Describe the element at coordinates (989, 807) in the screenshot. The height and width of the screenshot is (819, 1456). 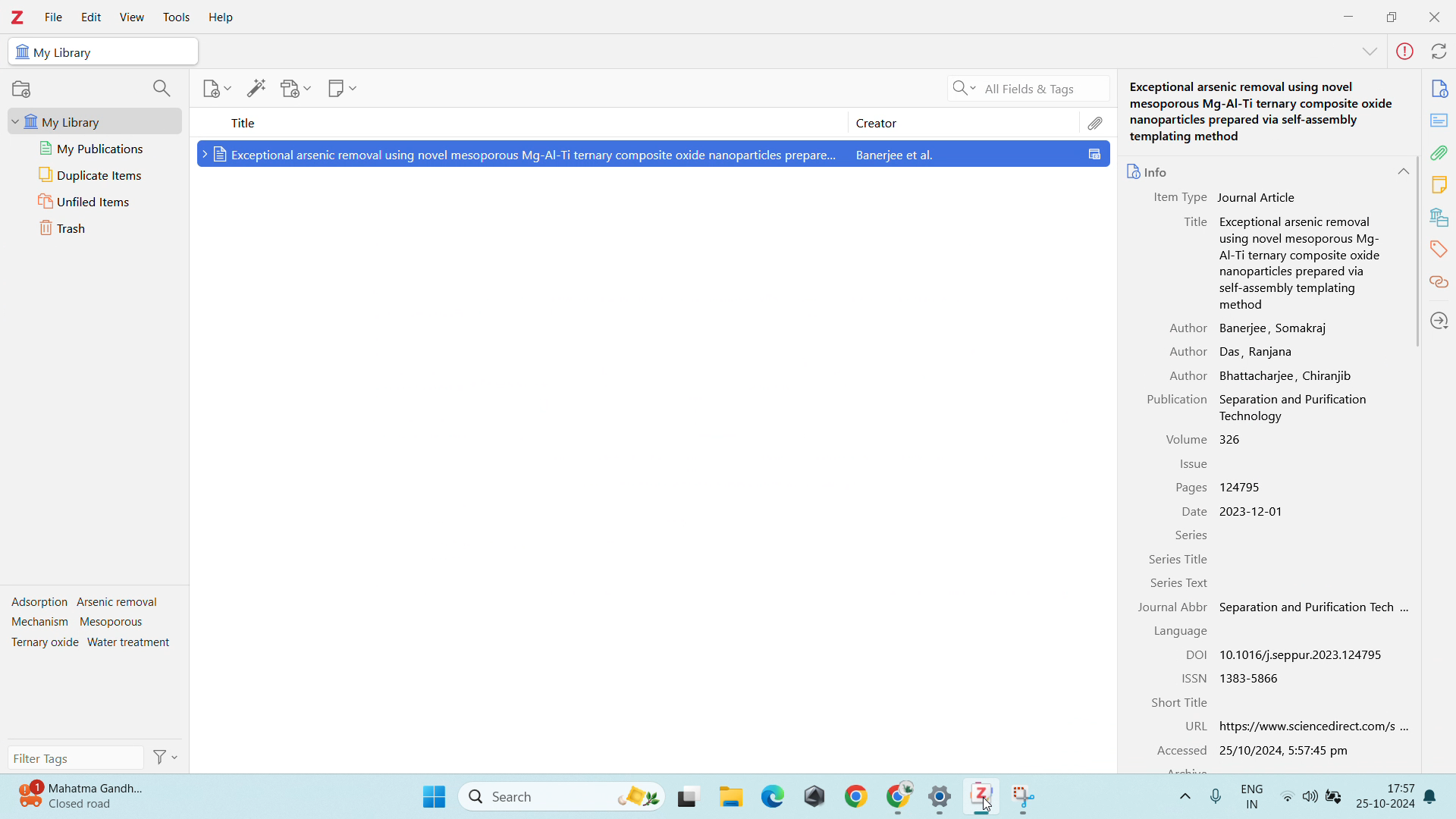
I see `Cursor` at that location.